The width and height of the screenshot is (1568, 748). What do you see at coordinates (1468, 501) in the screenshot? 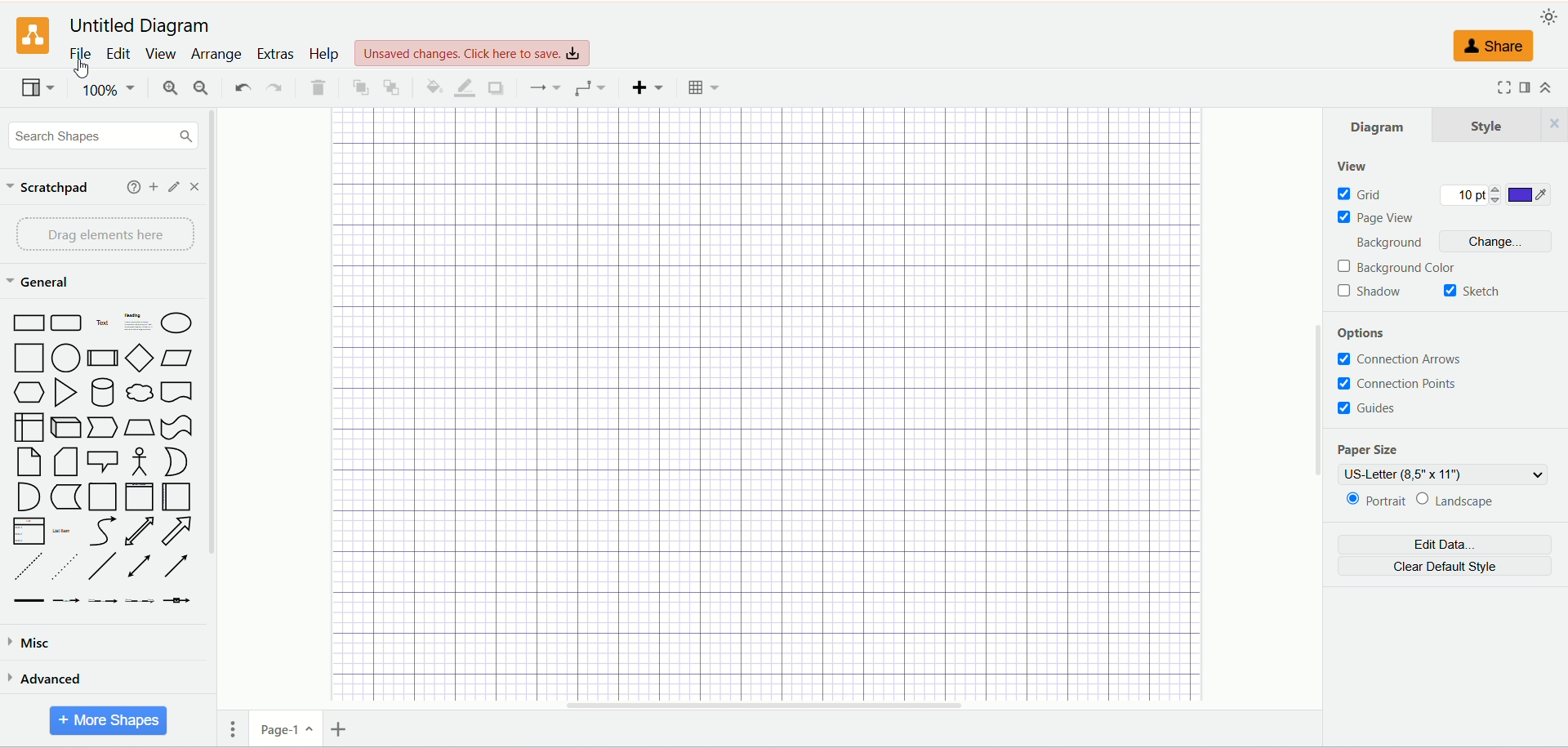
I see `landscape` at bounding box center [1468, 501].